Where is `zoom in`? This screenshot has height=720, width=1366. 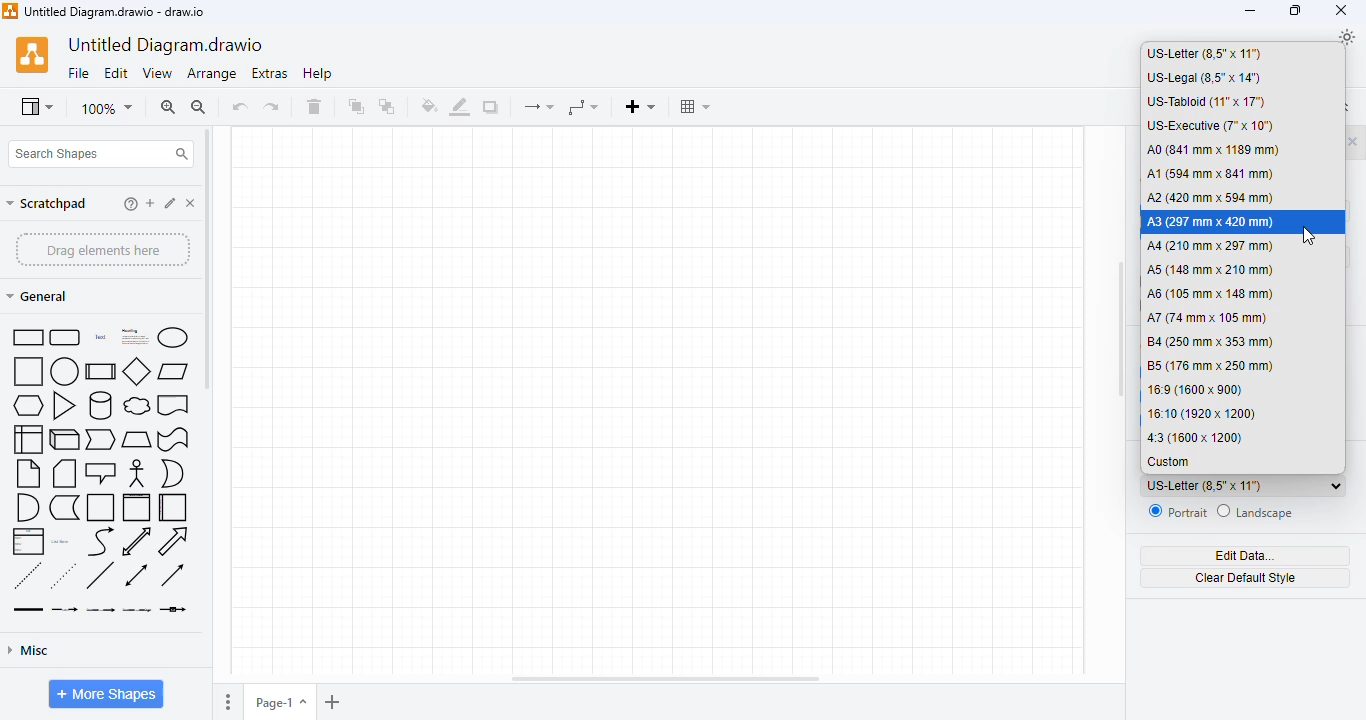 zoom in is located at coordinates (168, 107).